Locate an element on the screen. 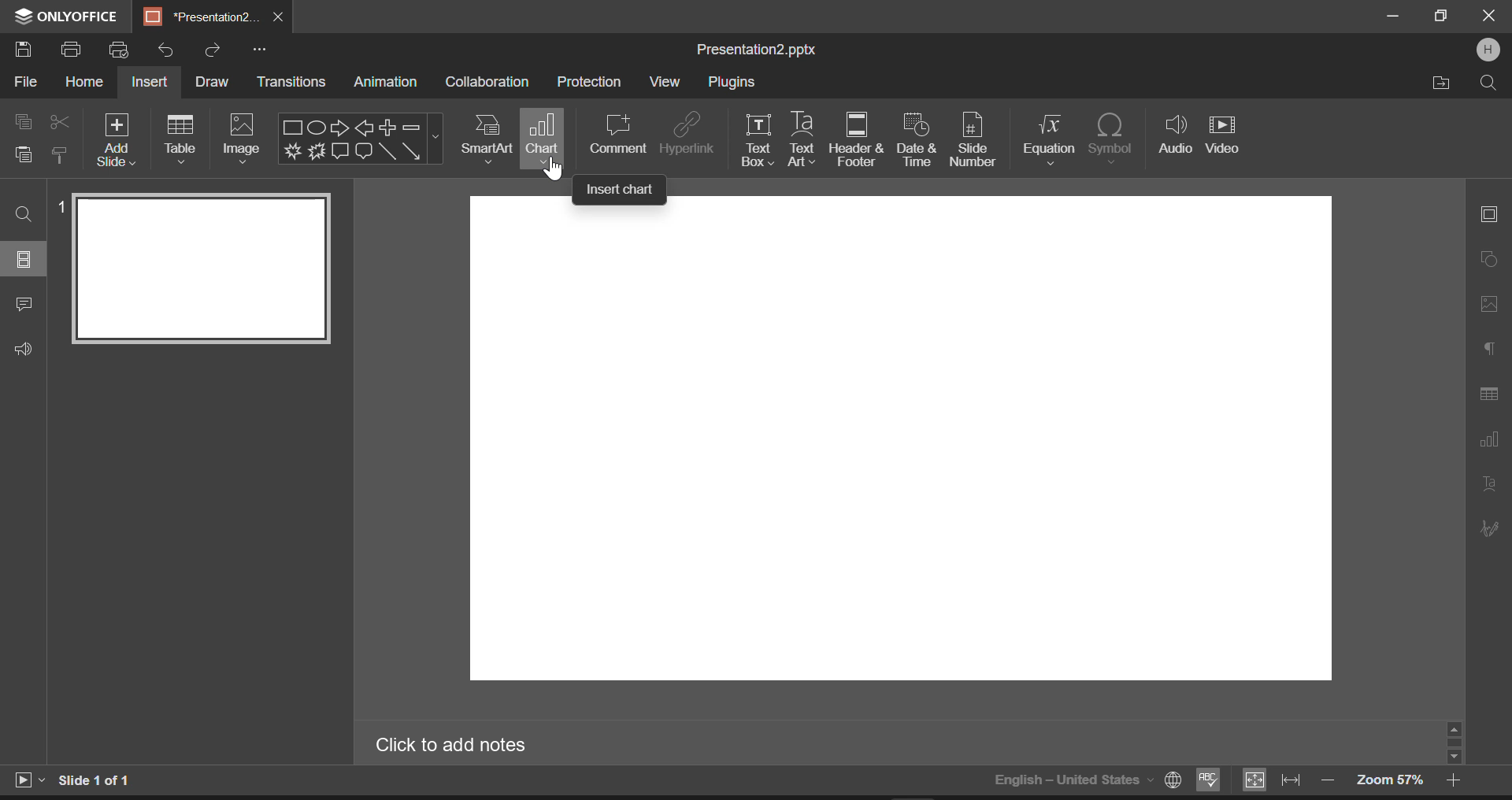 The image size is (1512, 800). Shape Settings is located at coordinates (1488, 257).